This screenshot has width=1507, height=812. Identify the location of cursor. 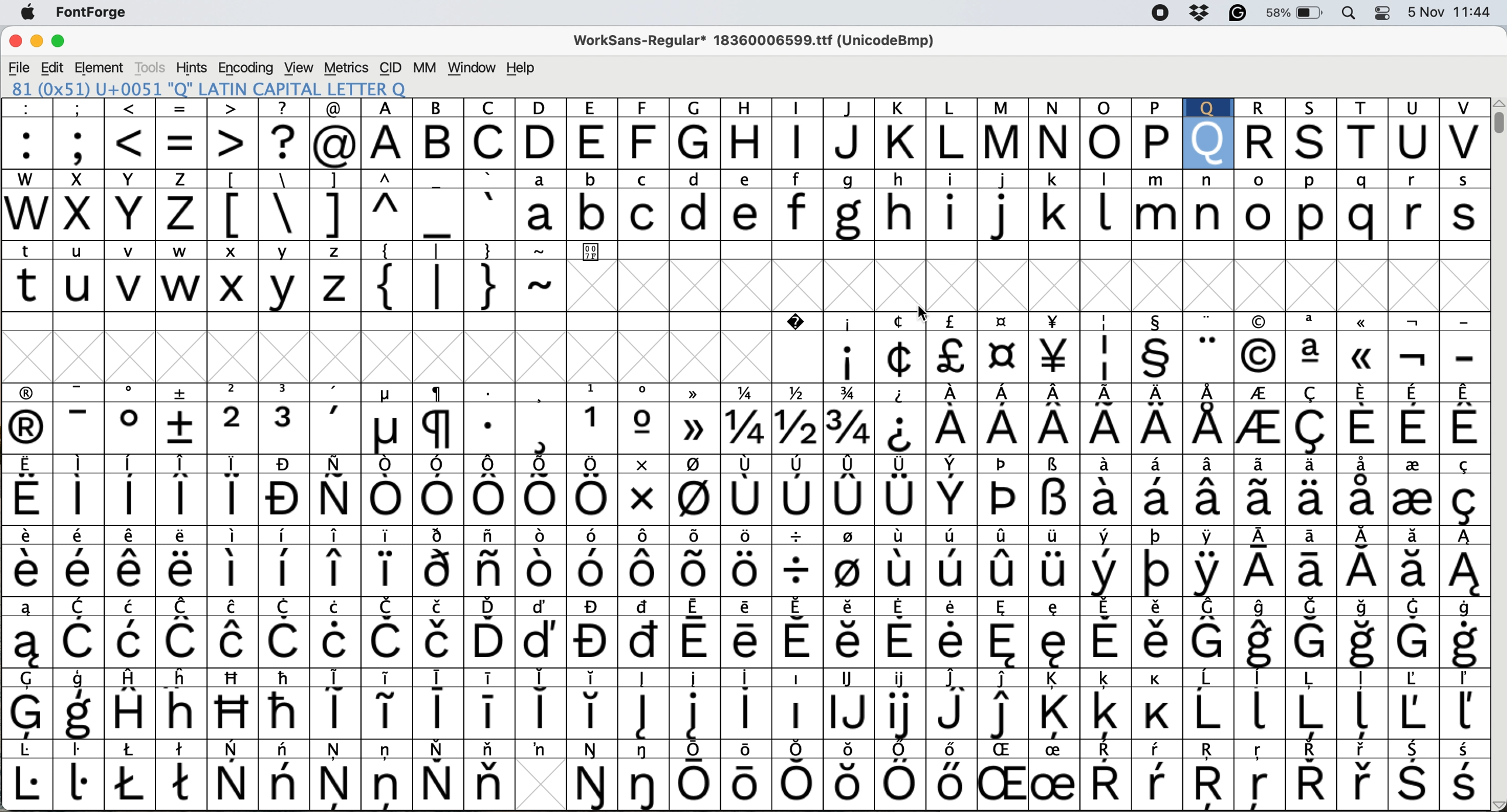
(923, 309).